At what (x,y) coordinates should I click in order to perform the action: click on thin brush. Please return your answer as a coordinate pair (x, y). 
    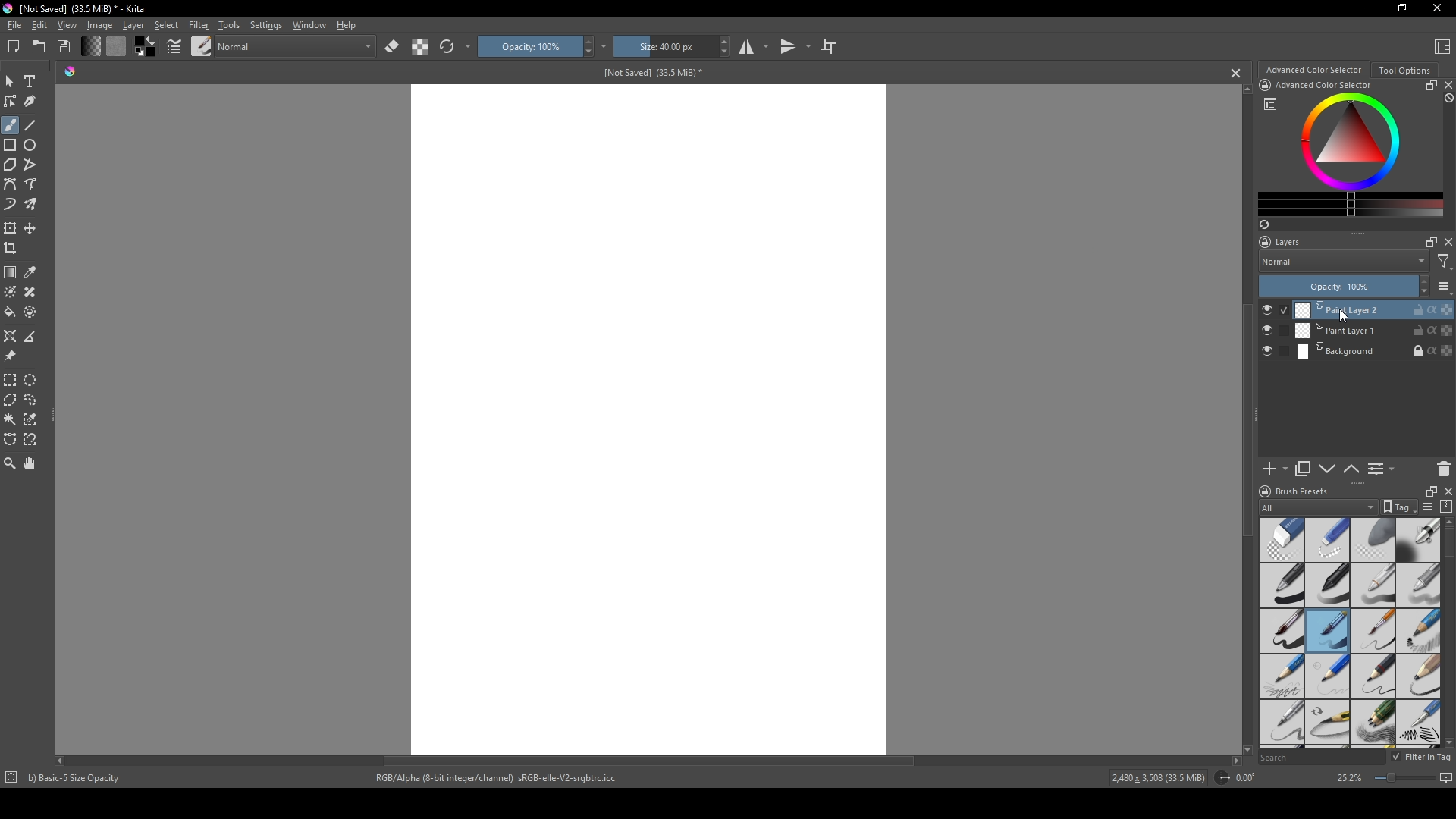
    Looking at the image, I should click on (1373, 632).